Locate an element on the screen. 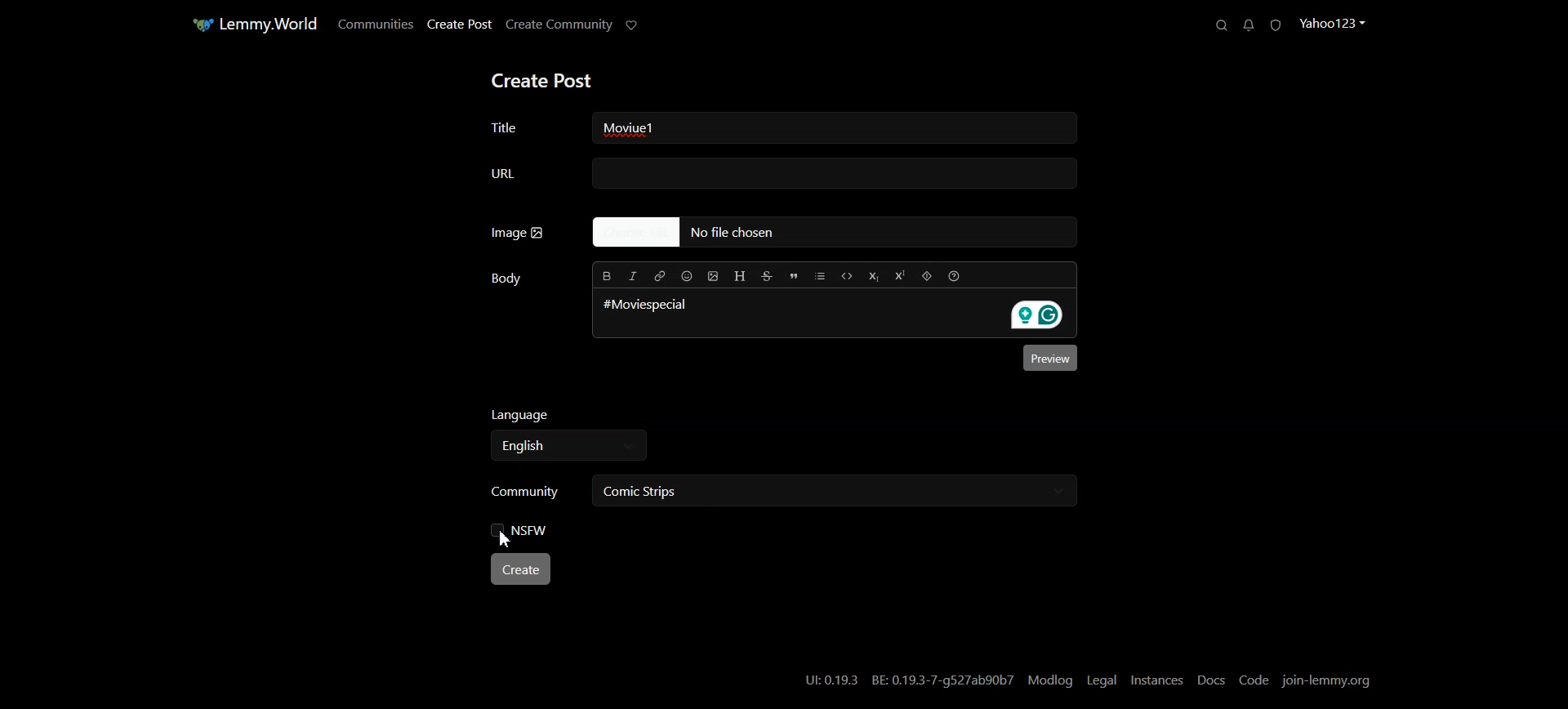 The height and width of the screenshot is (709, 1568). Moviue1 is located at coordinates (653, 130).